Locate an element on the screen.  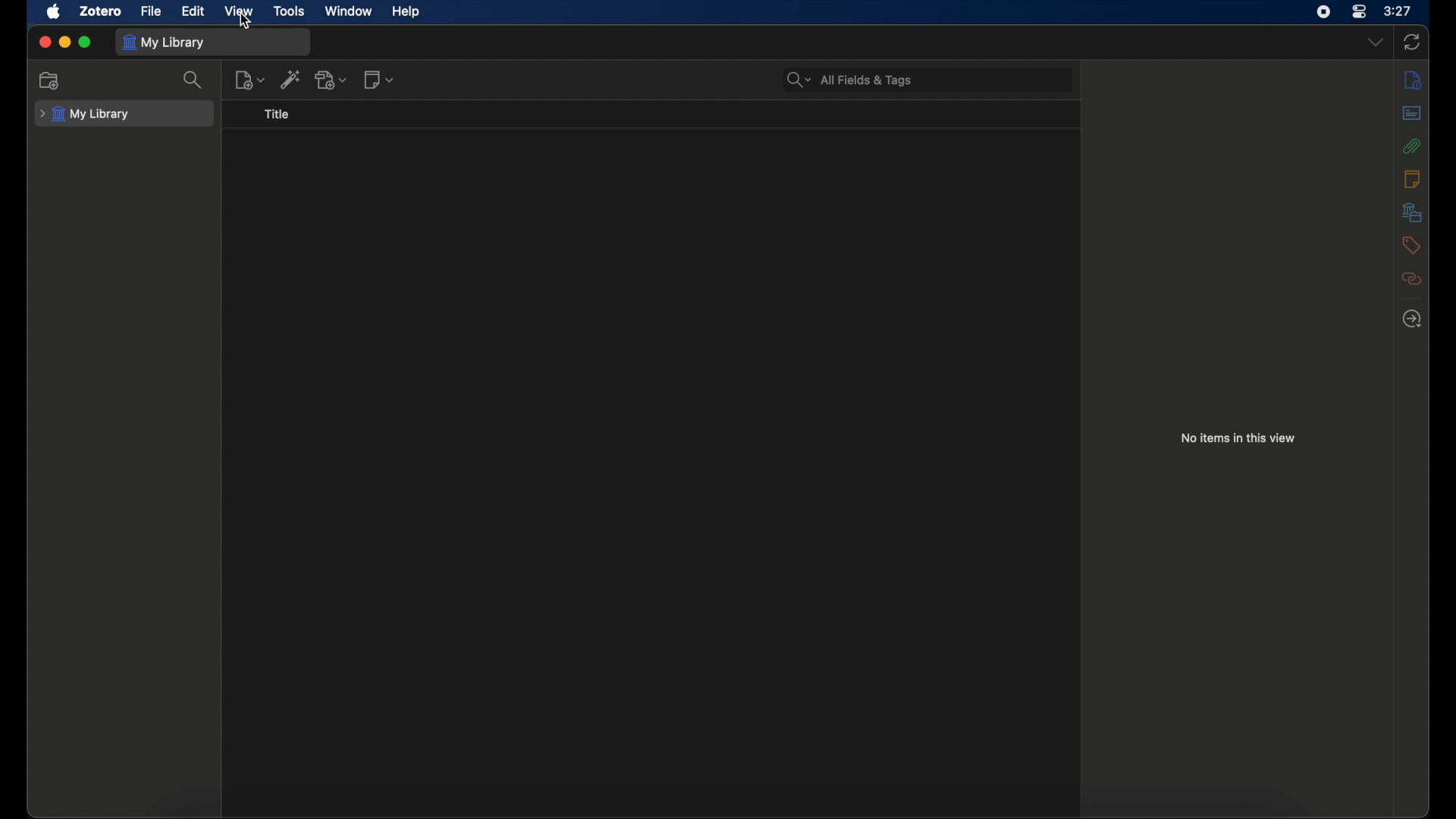
title is located at coordinates (276, 113).